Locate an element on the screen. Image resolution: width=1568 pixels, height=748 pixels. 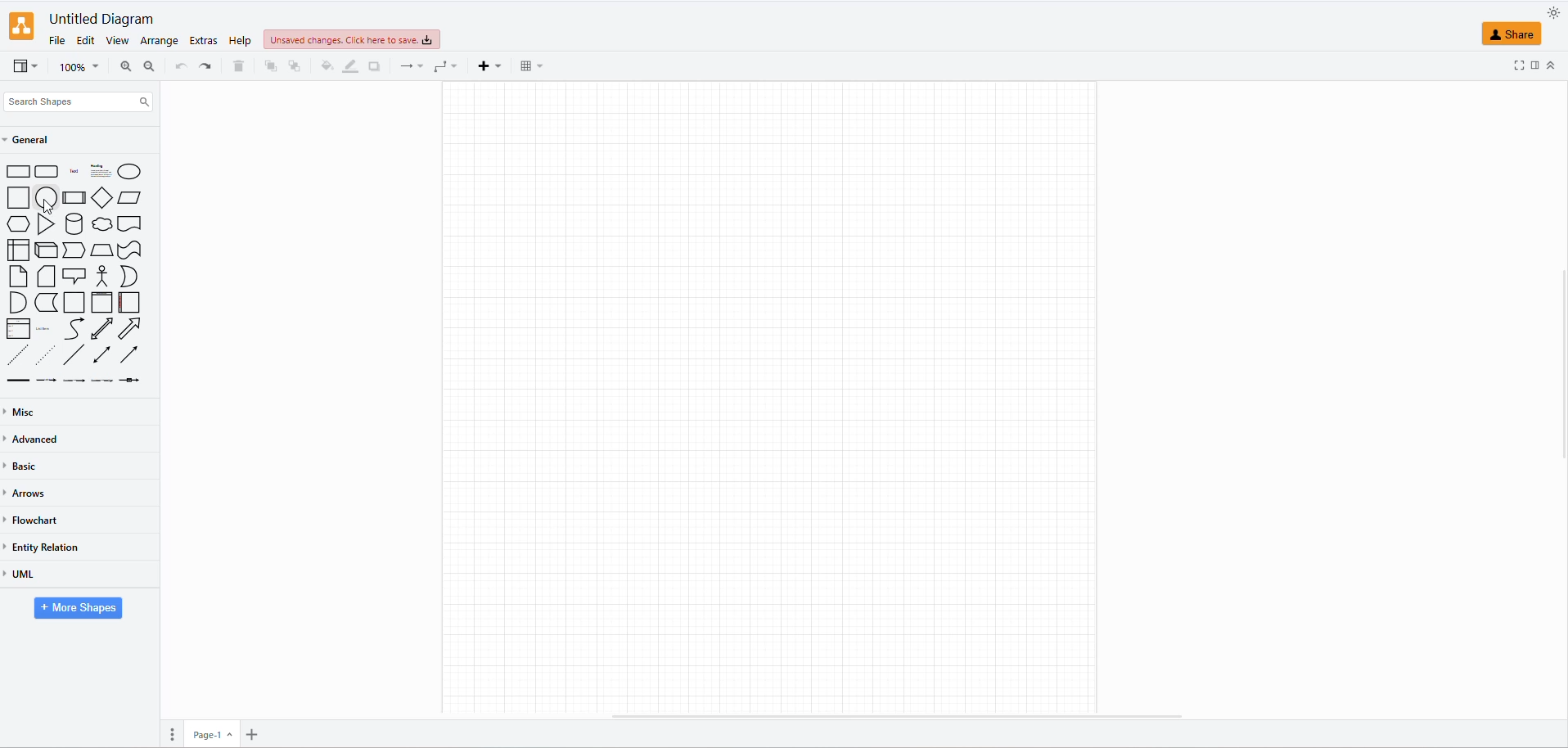
CONTAINER is located at coordinates (100, 302).